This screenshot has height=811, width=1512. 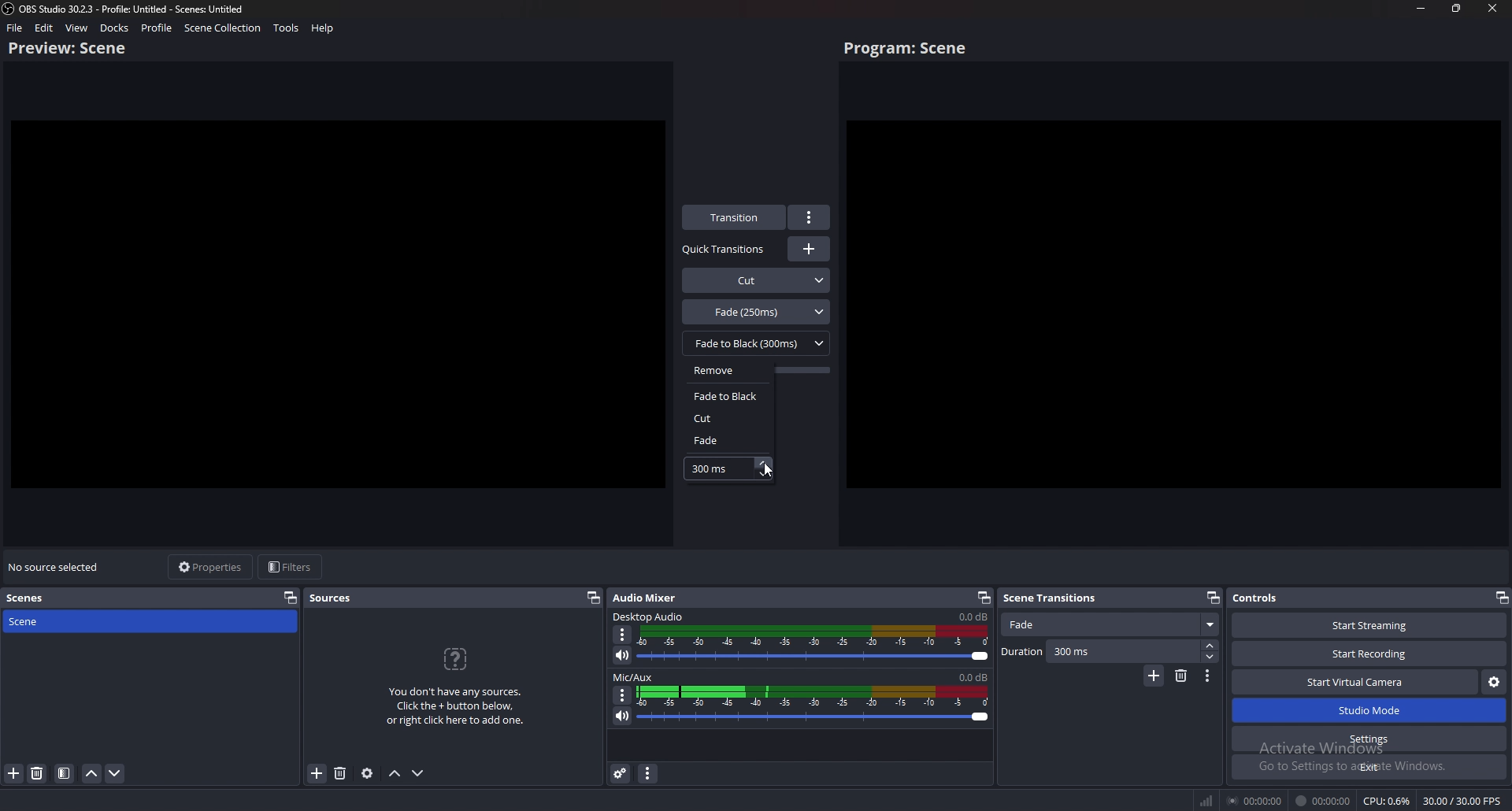 I want to click on CPU: 0.3%, so click(x=1388, y=801).